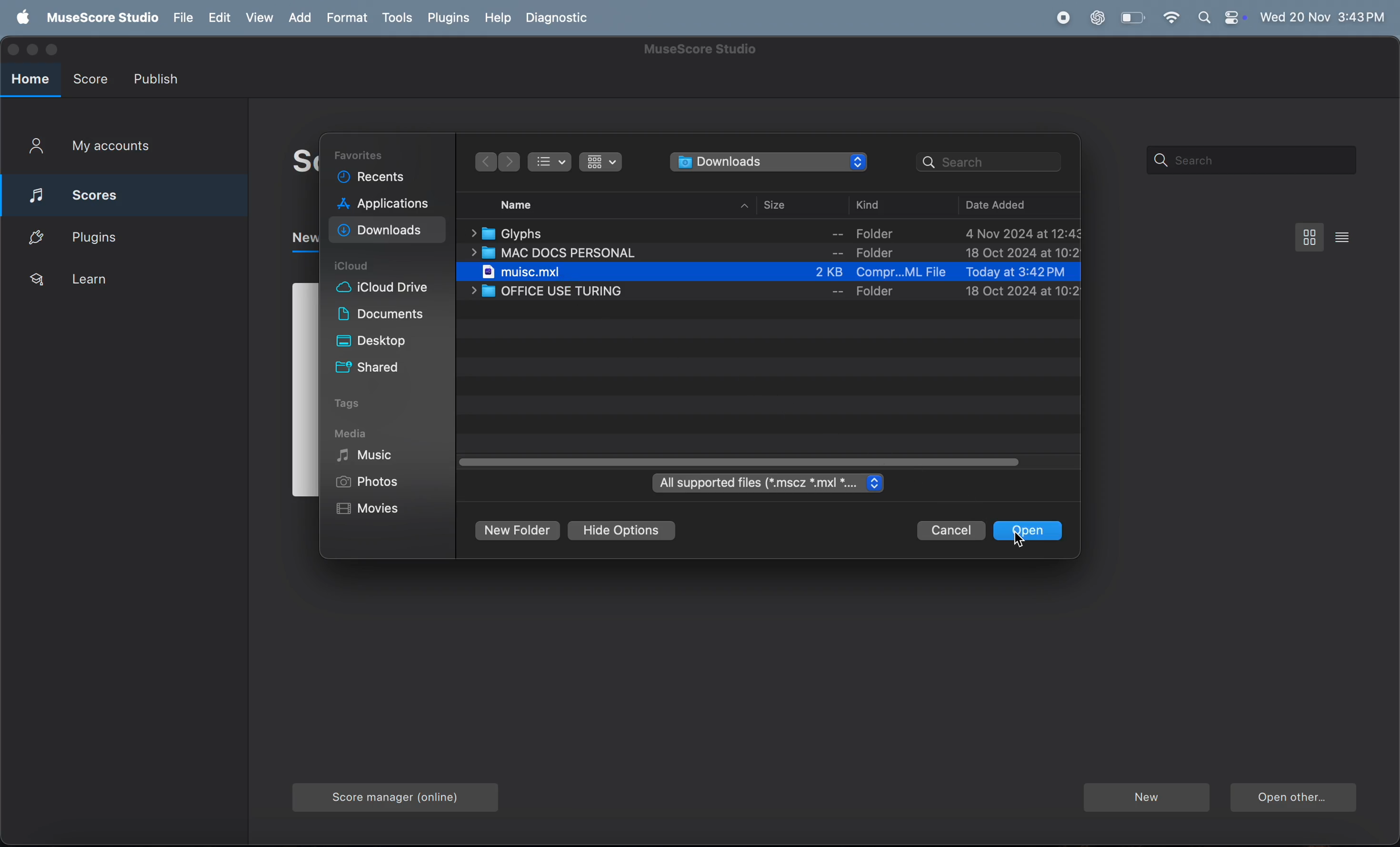 The height and width of the screenshot is (847, 1400). What do you see at coordinates (699, 51) in the screenshot?
I see `musescore title` at bounding box center [699, 51].